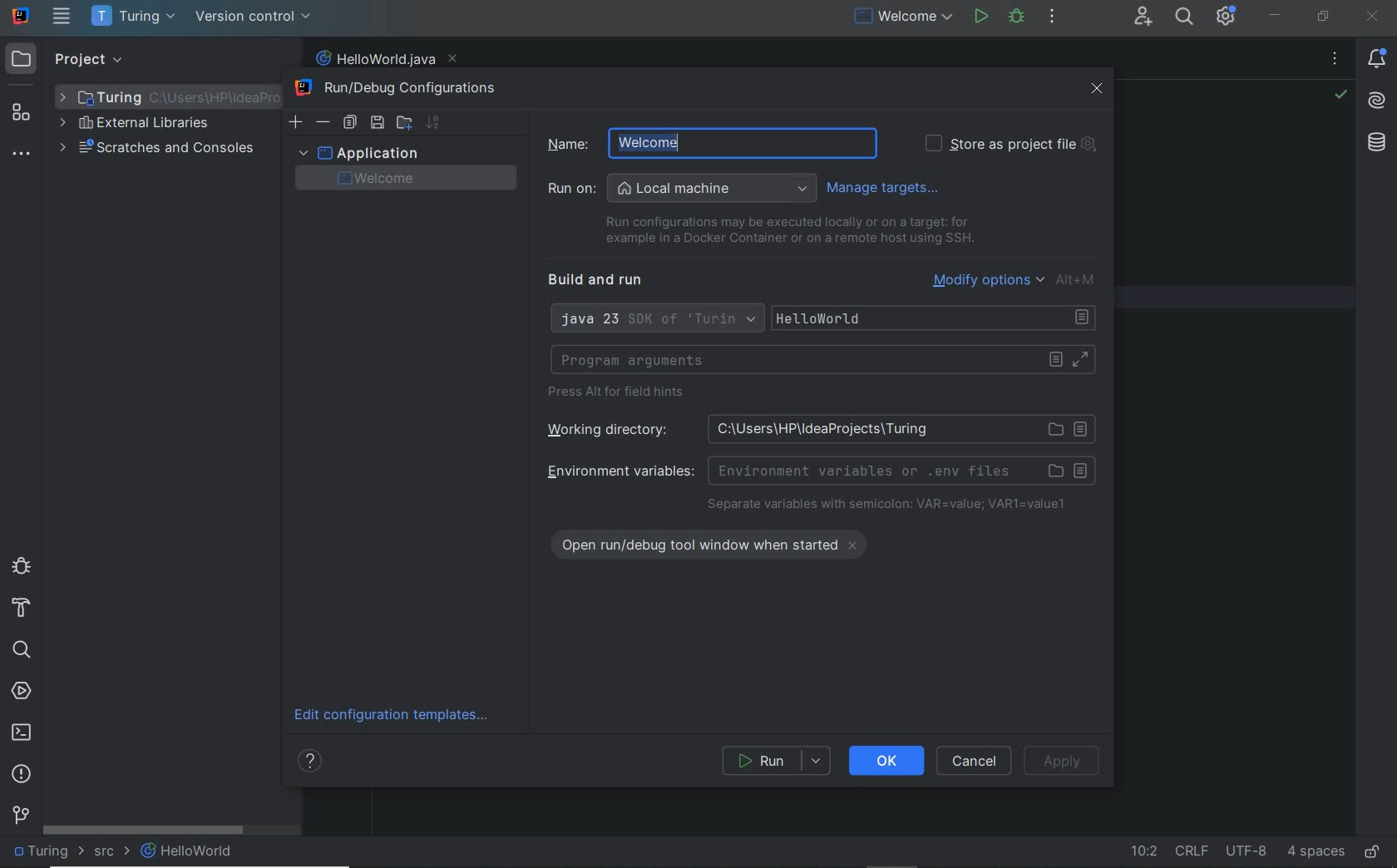 The width and height of the screenshot is (1397, 868). I want to click on ADD NEW CONFIGURATION, so click(297, 121).